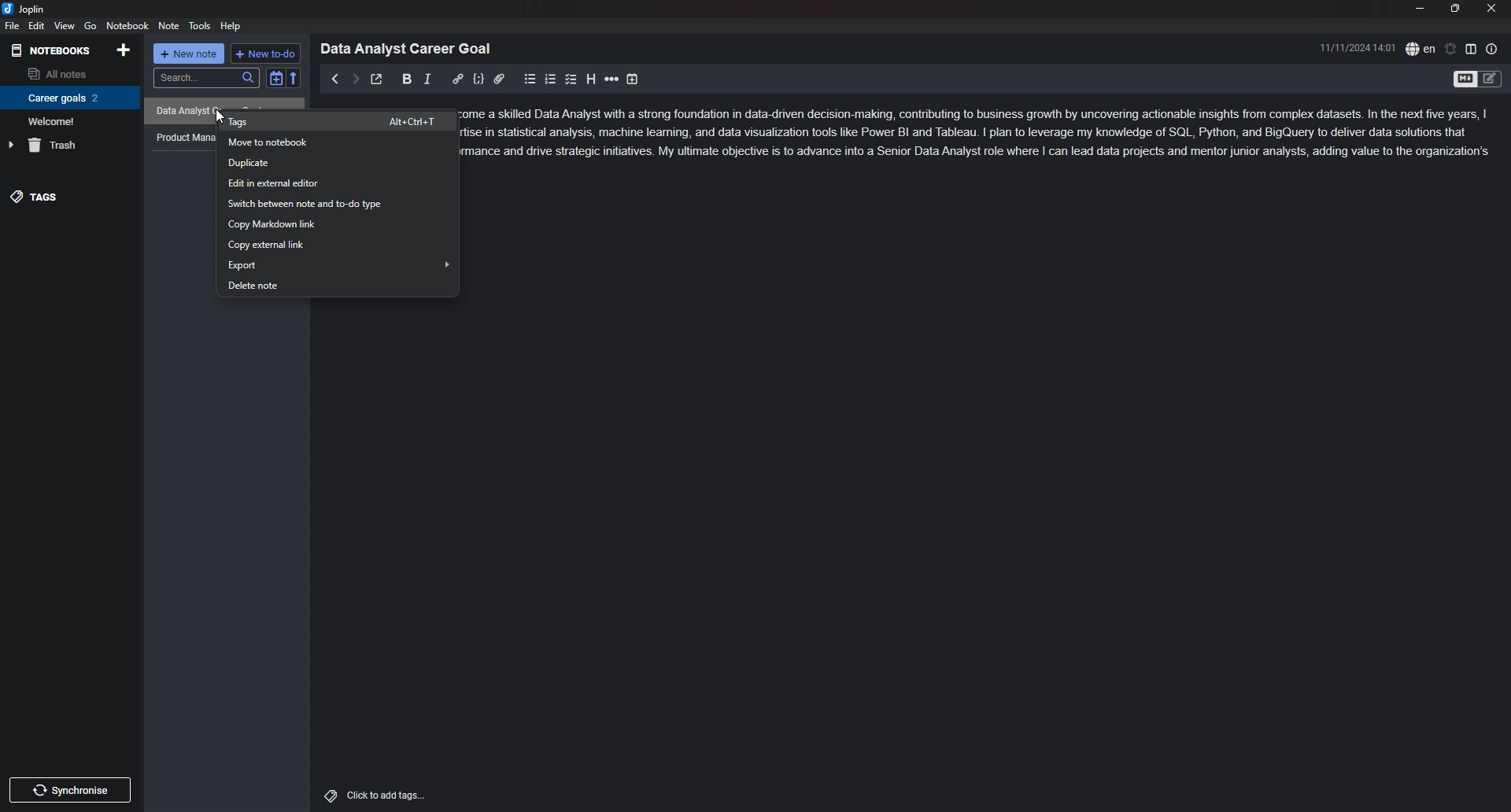  Describe the element at coordinates (340, 204) in the screenshot. I see `switch between note and to-do type` at that location.